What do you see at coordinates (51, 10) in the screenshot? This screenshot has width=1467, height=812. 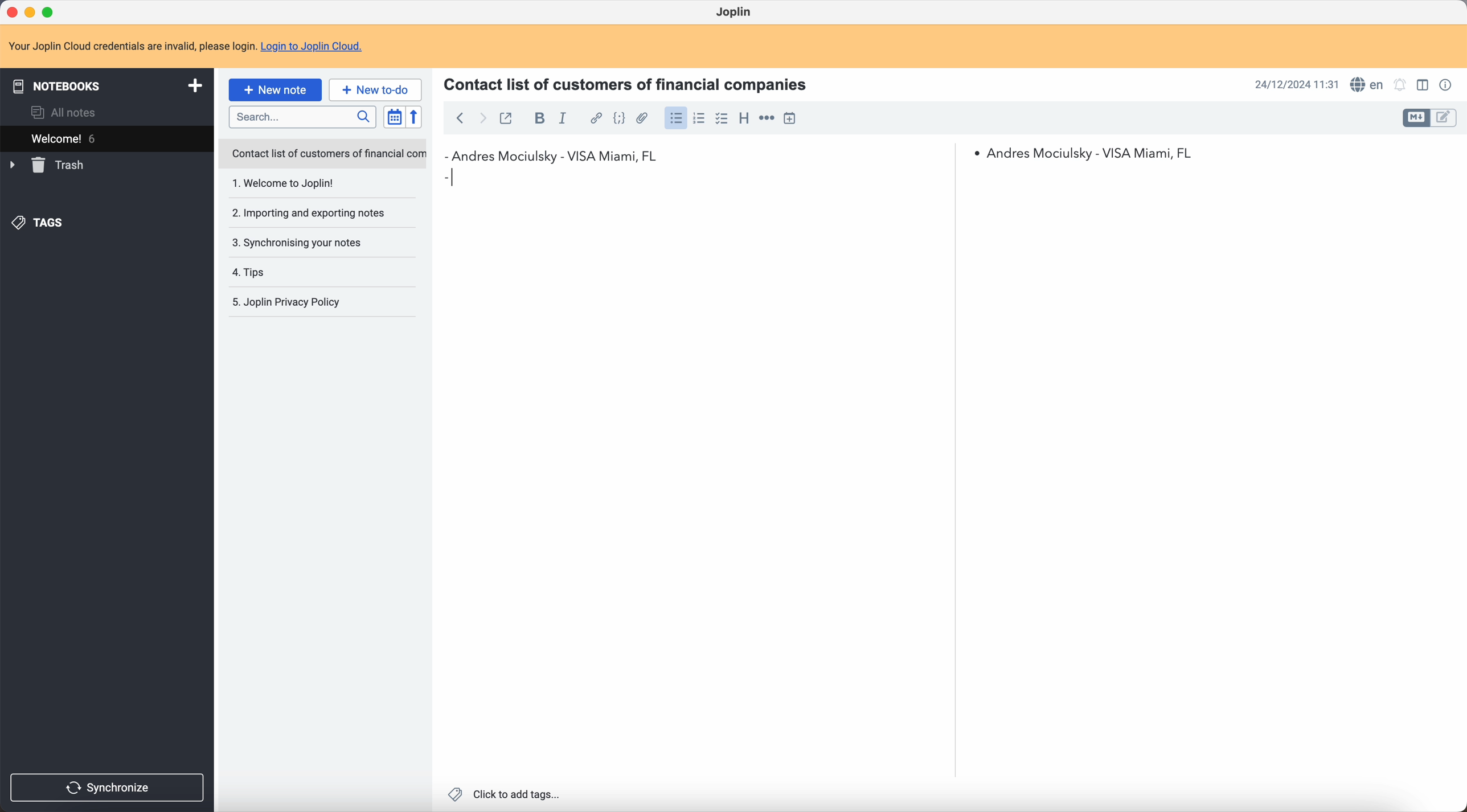 I see `maximize` at bounding box center [51, 10].